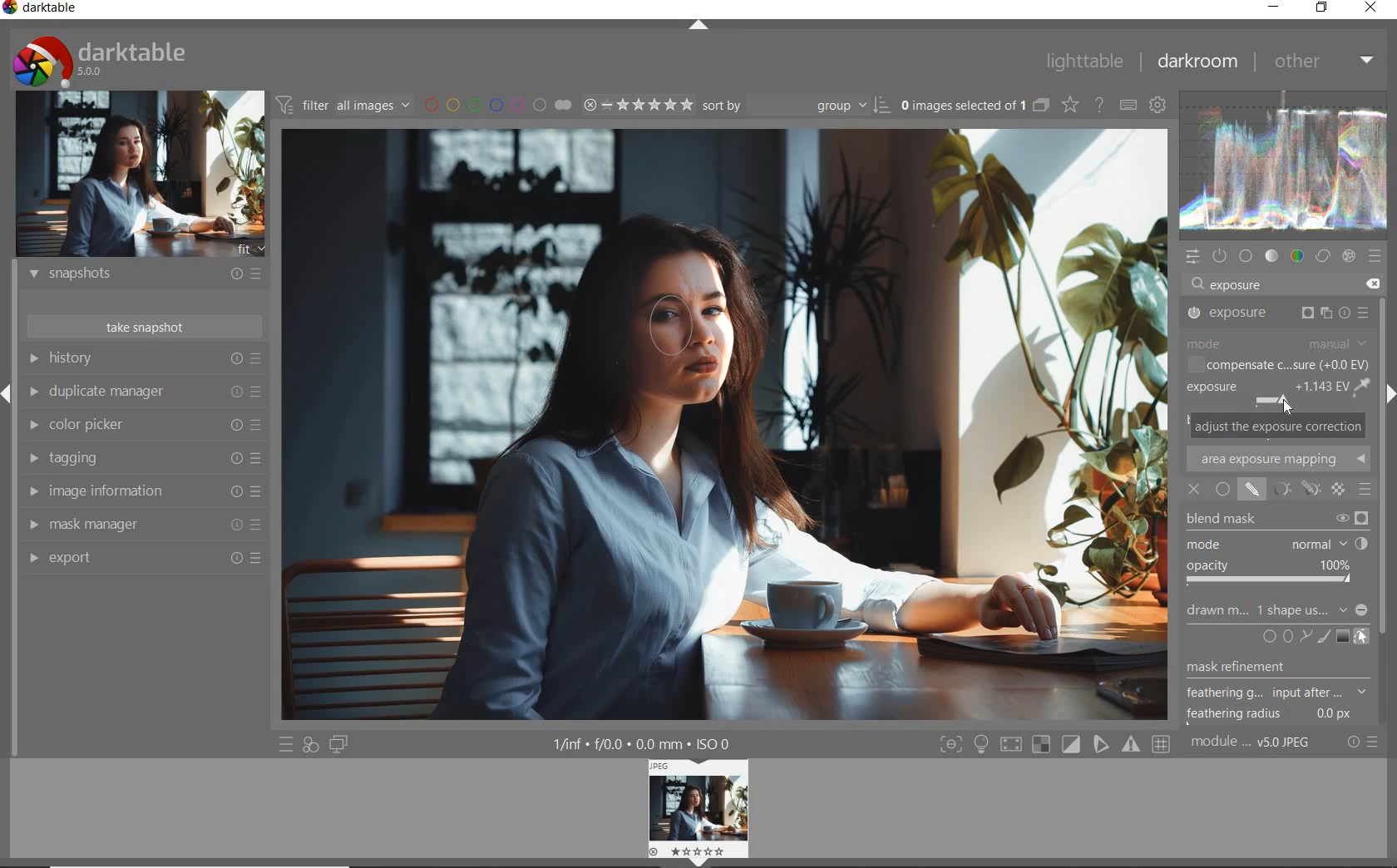  I want to click on tagging, so click(146, 459).